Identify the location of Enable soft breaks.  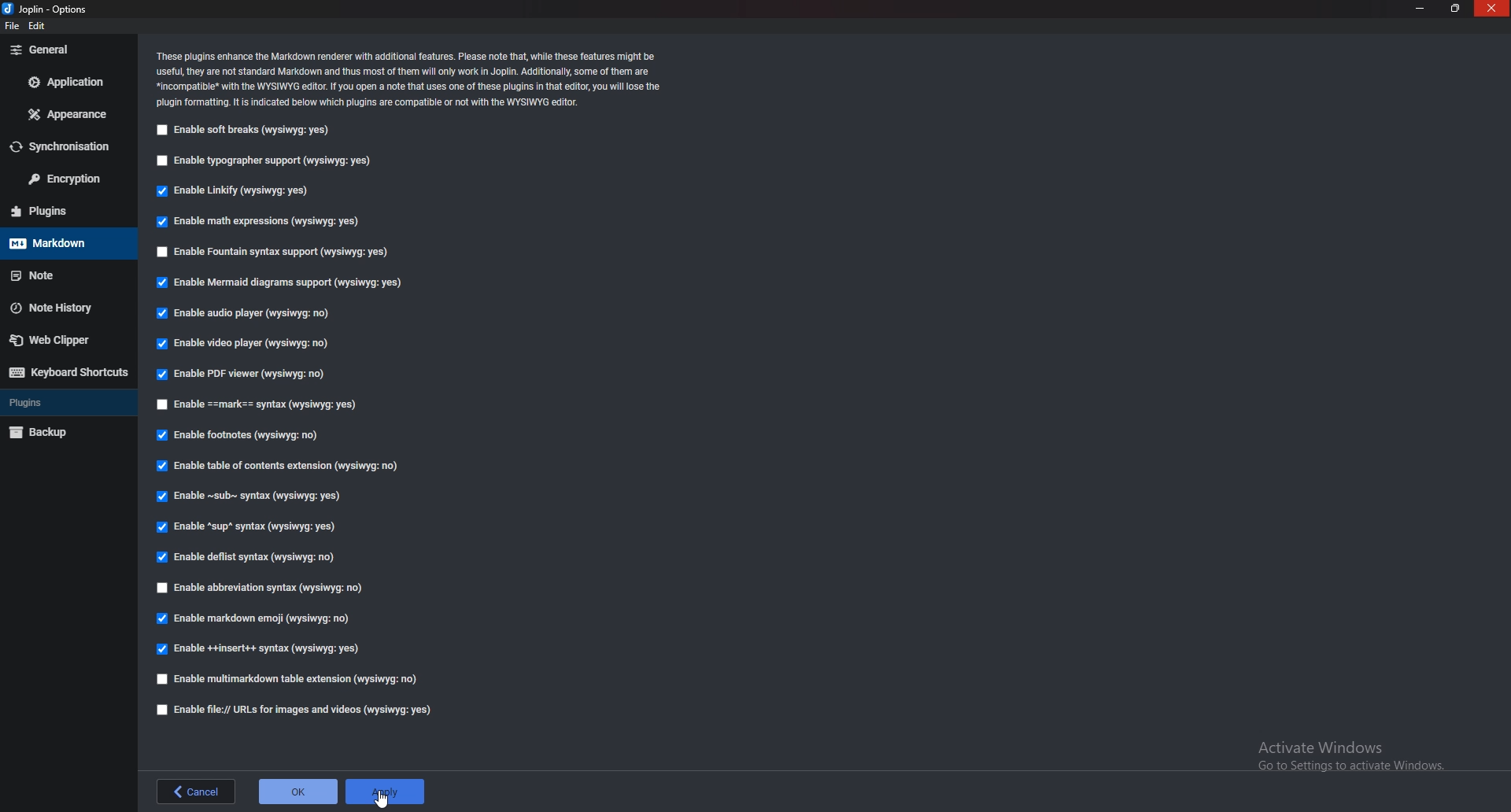
(246, 131).